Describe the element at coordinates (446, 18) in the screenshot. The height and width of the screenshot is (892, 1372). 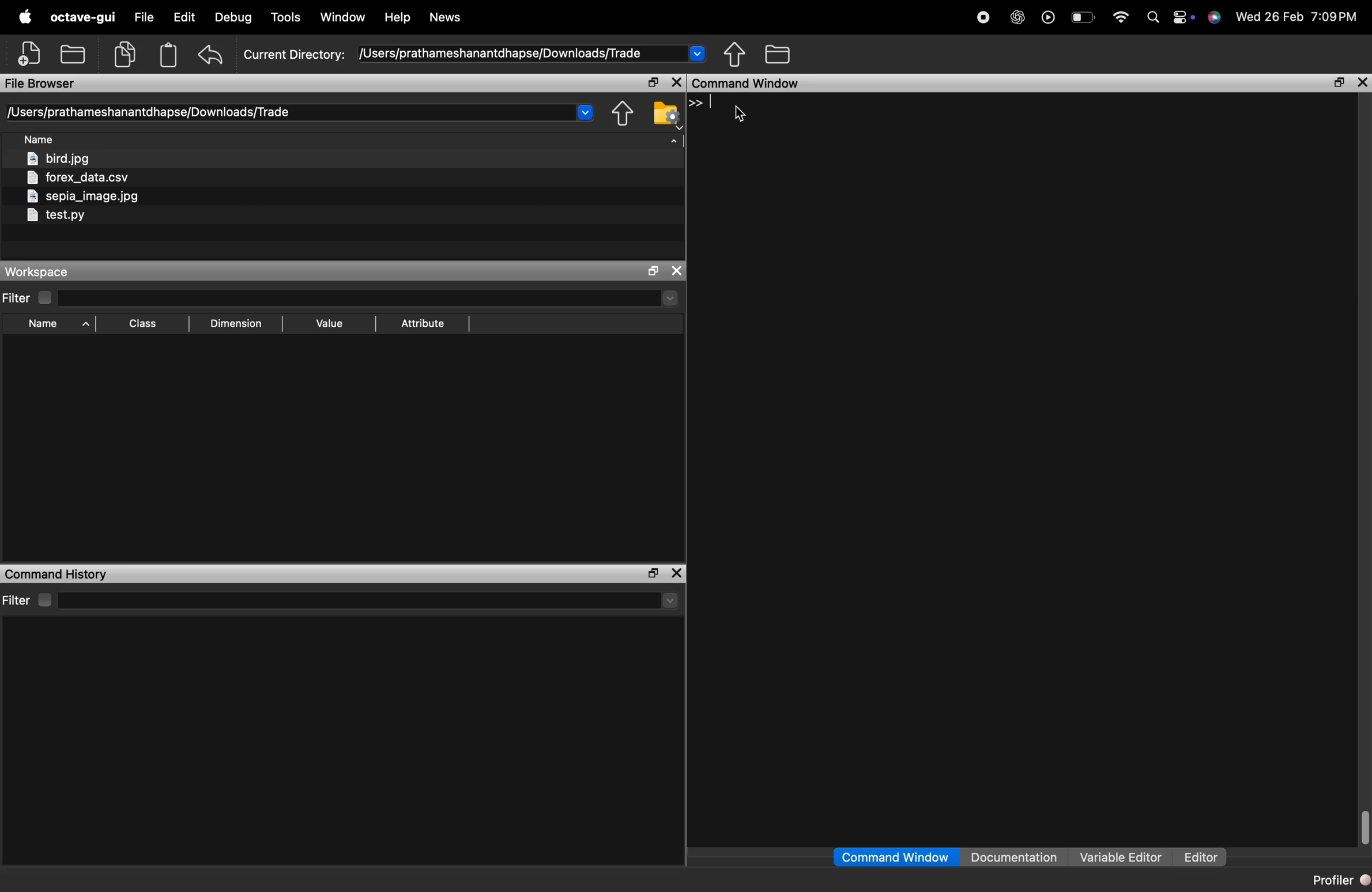
I see `news` at that location.